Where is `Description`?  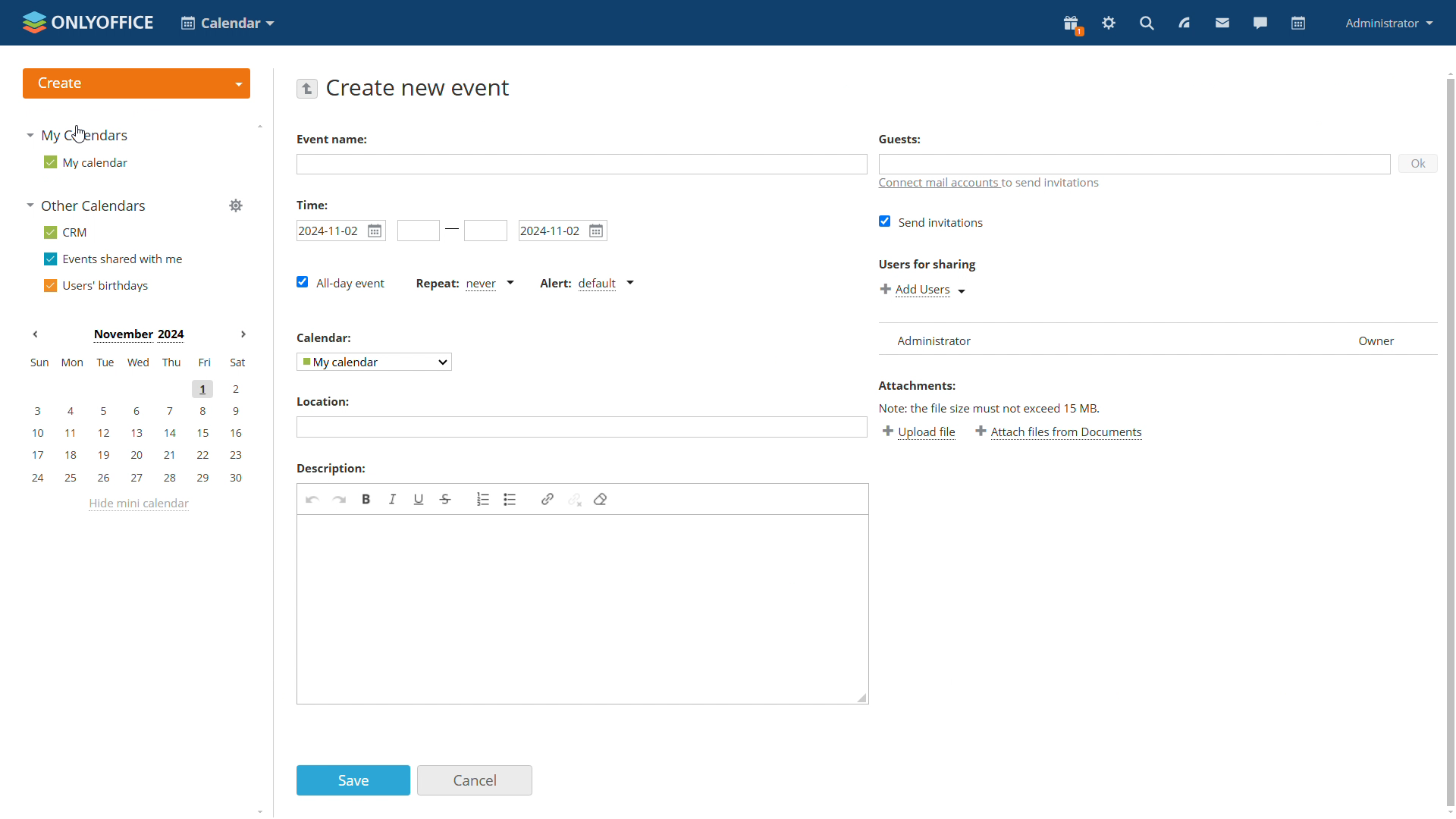
Description is located at coordinates (329, 468).